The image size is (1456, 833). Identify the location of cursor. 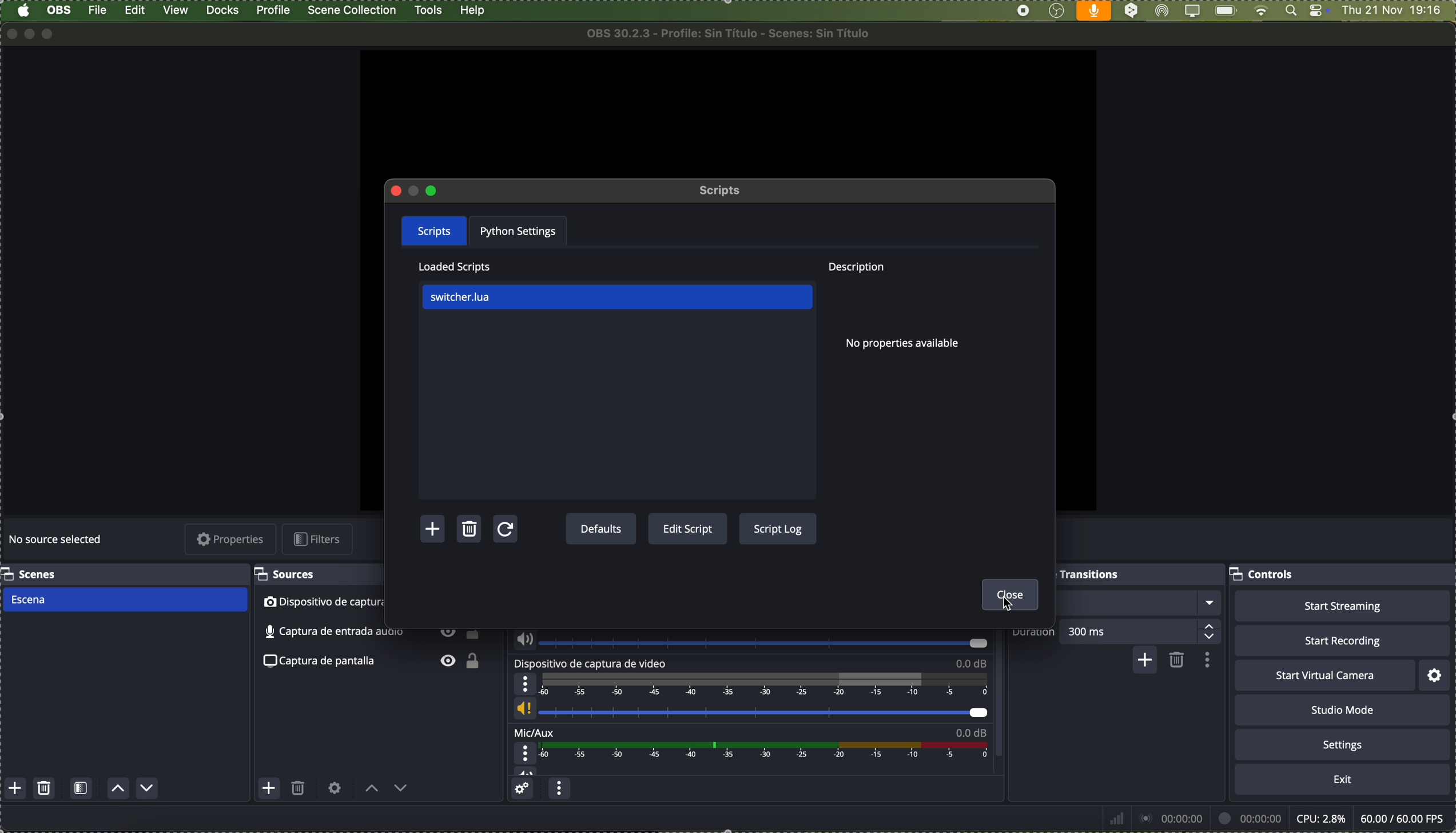
(1013, 603).